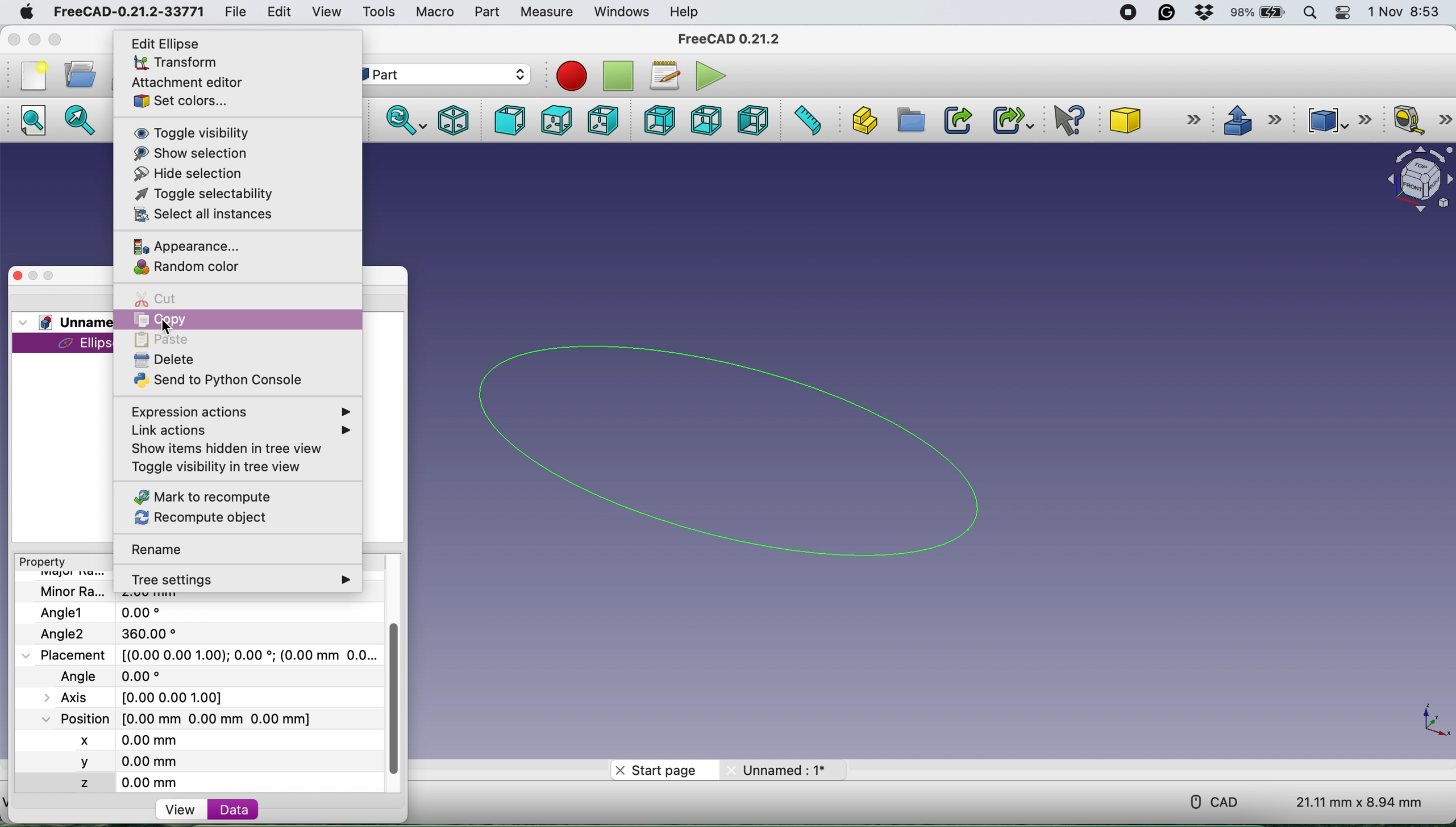 The height and width of the screenshot is (827, 1456). Describe the element at coordinates (437, 76) in the screenshot. I see `workbench` at that location.